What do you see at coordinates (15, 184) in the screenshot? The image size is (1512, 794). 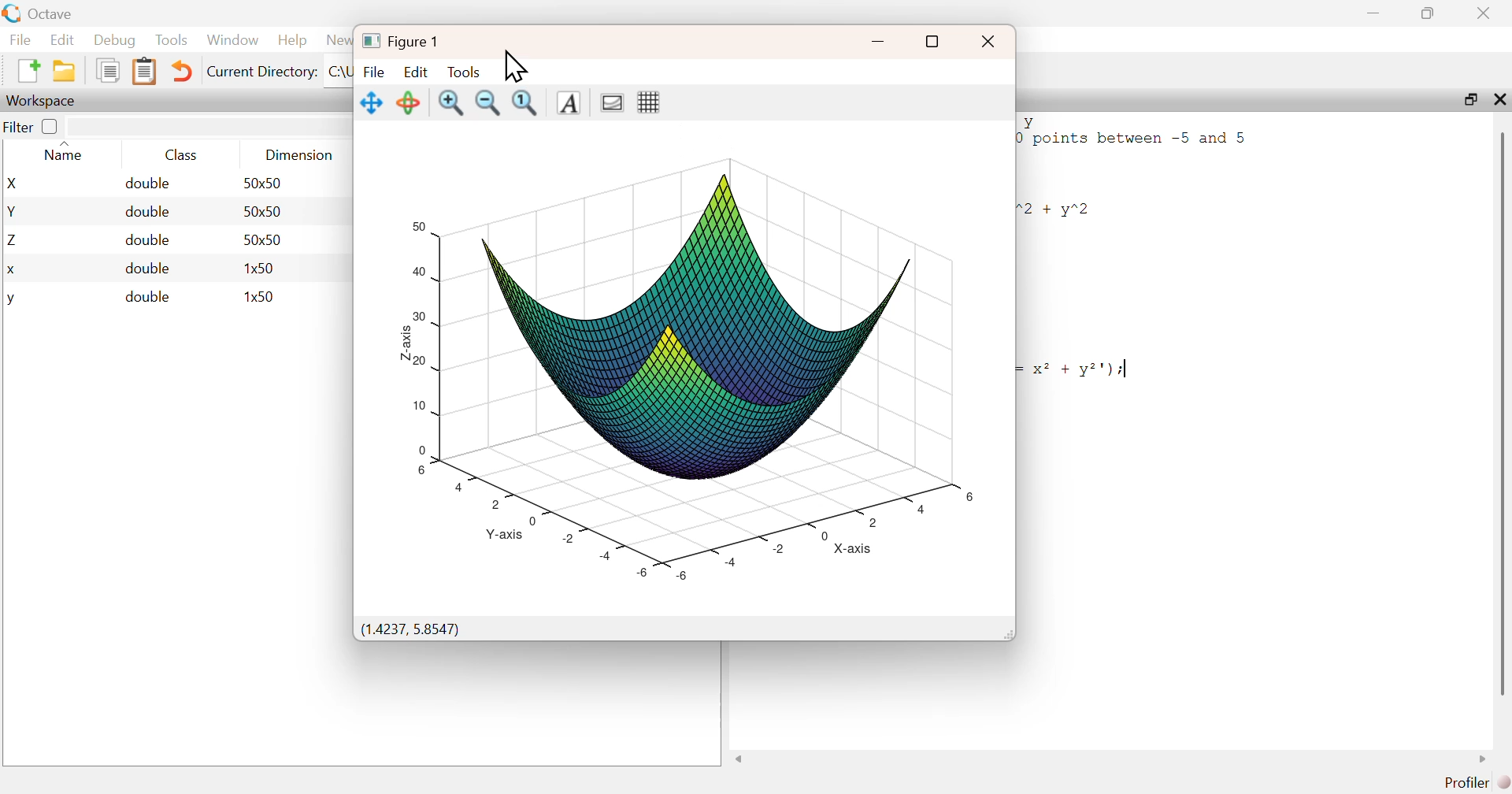 I see `X` at bounding box center [15, 184].